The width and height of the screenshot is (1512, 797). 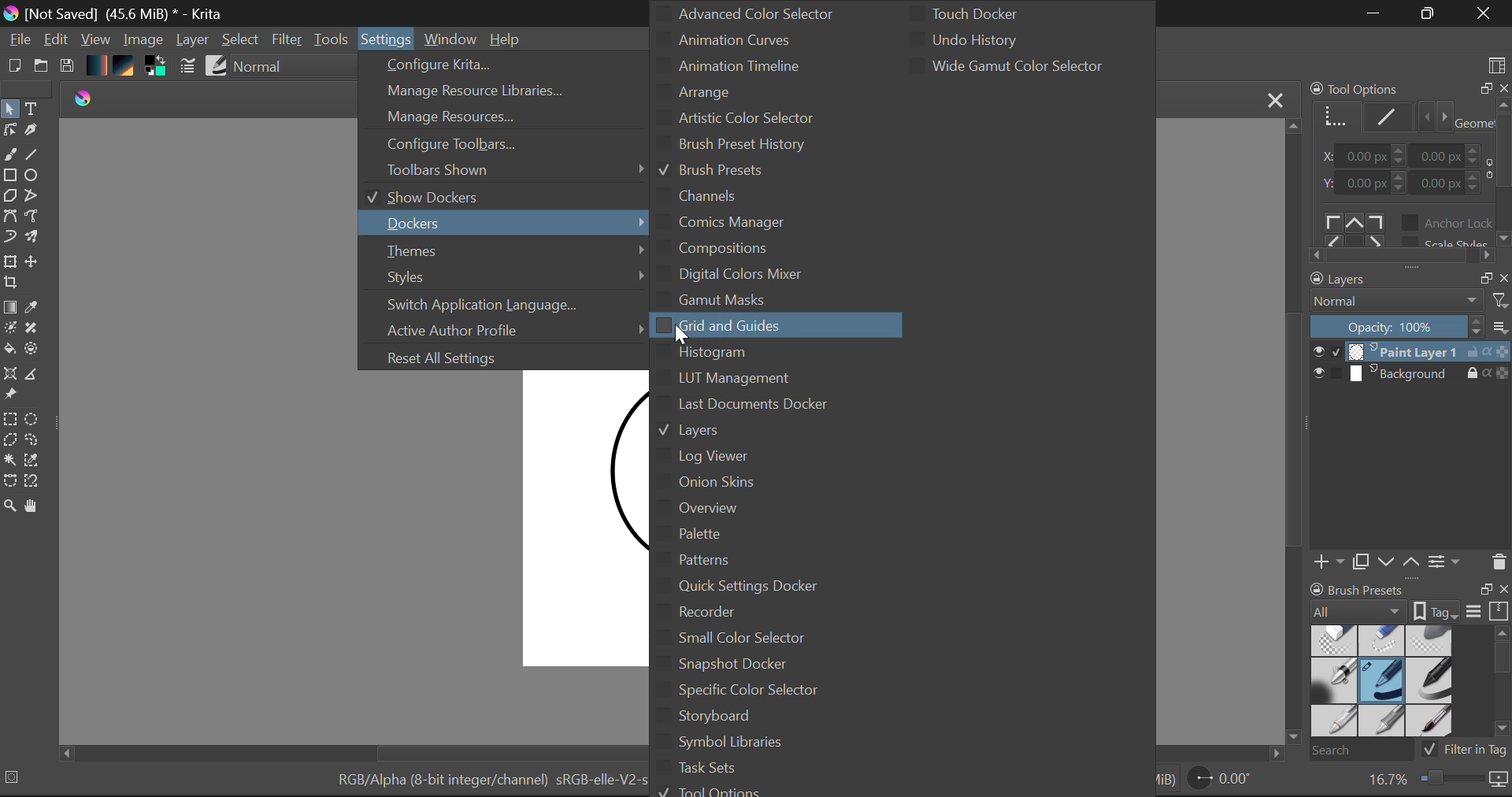 What do you see at coordinates (497, 117) in the screenshot?
I see `Manage Resources` at bounding box center [497, 117].